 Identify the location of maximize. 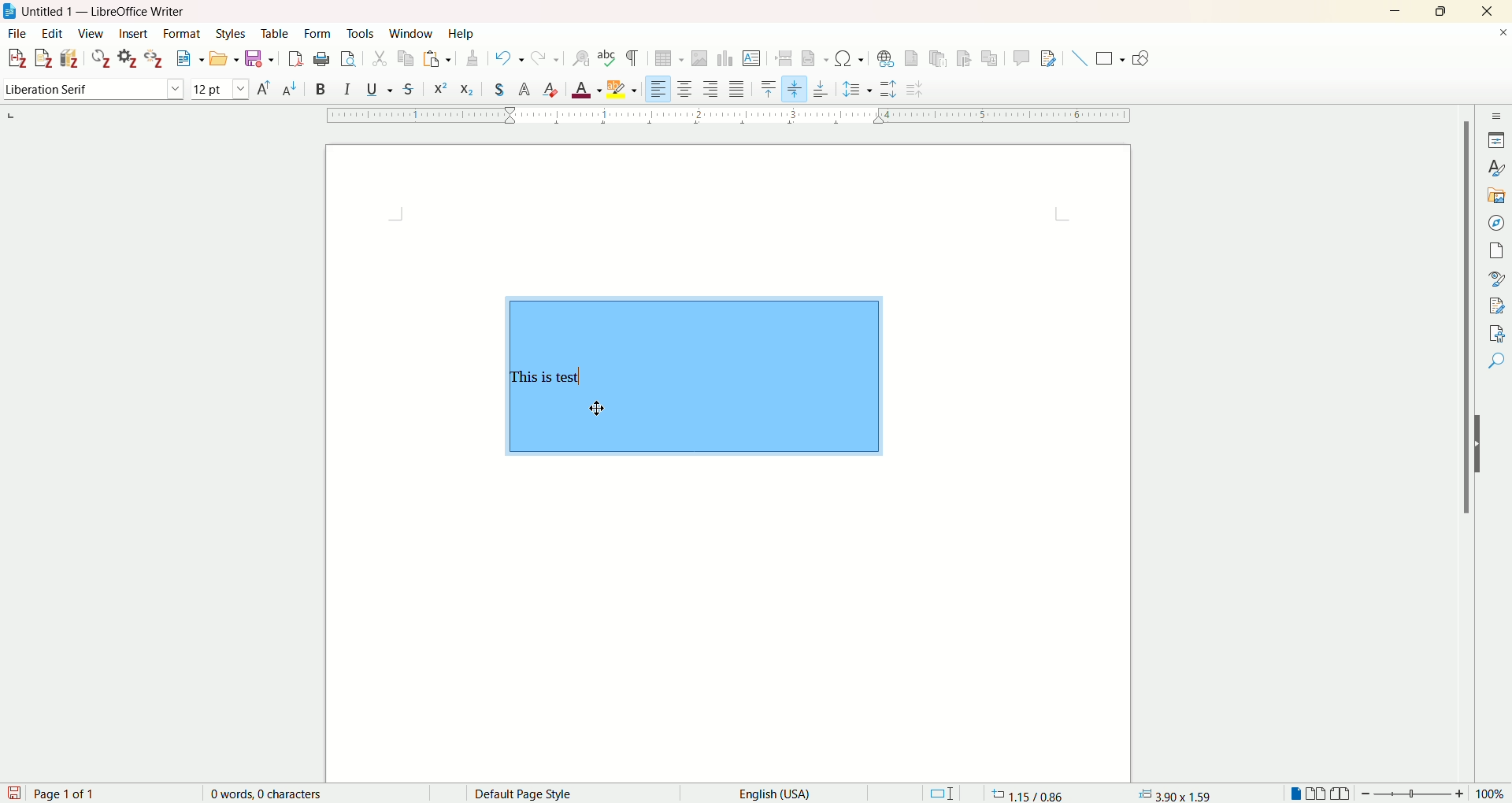
(1444, 11).